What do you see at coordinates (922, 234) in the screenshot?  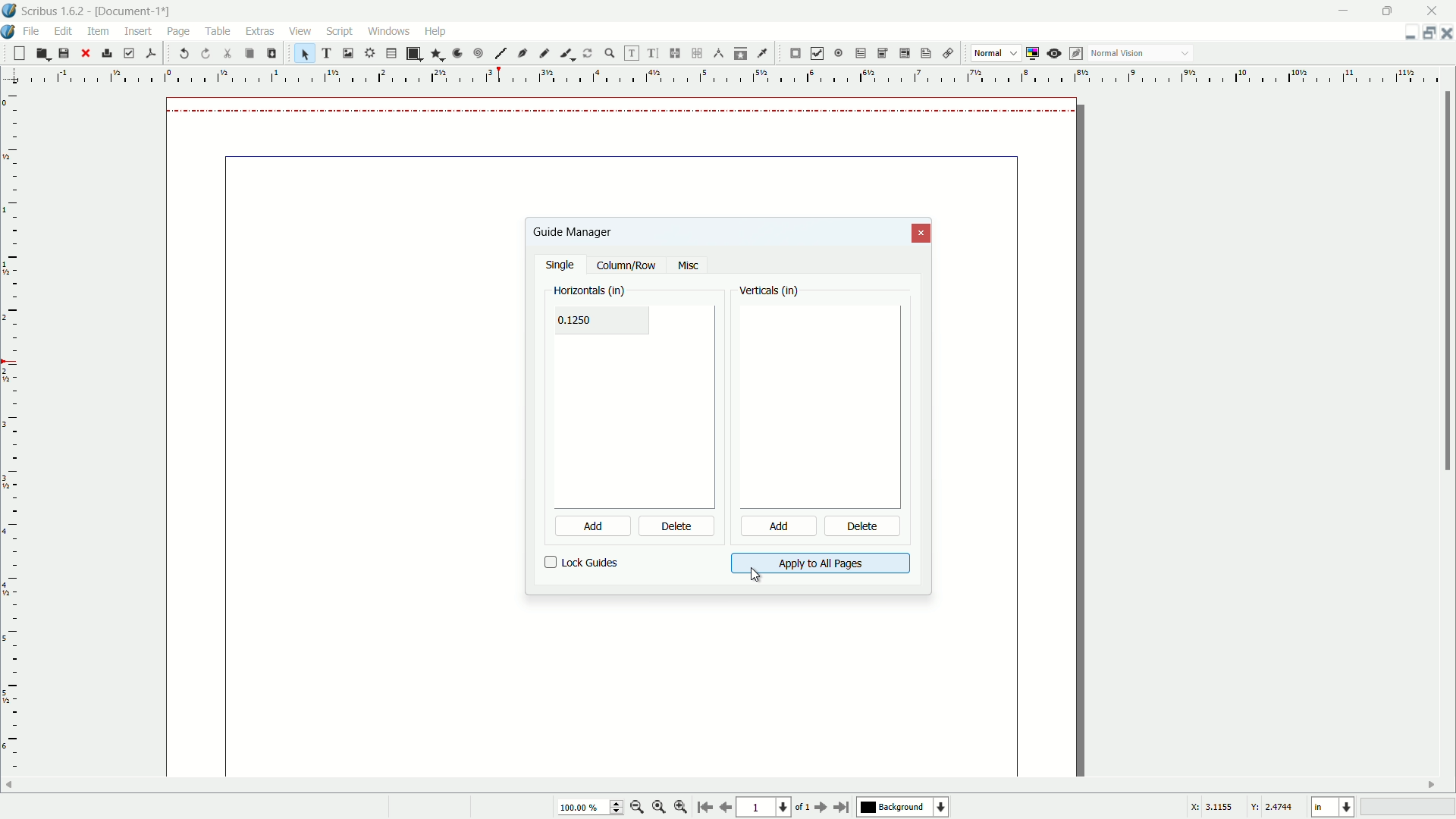 I see `close guide manager window` at bounding box center [922, 234].